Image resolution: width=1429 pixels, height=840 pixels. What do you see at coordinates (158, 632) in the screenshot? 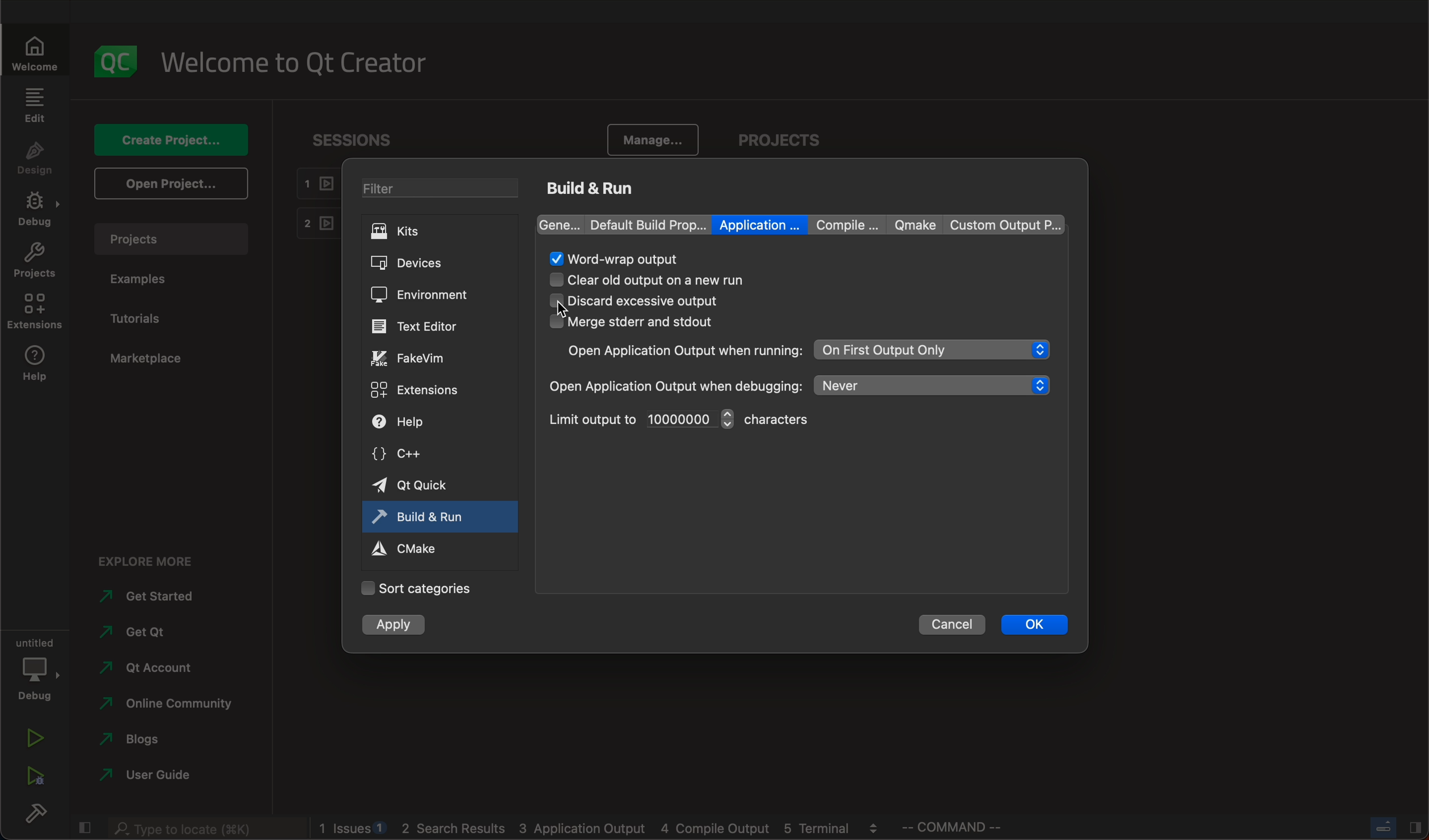
I see `get ` at bounding box center [158, 632].